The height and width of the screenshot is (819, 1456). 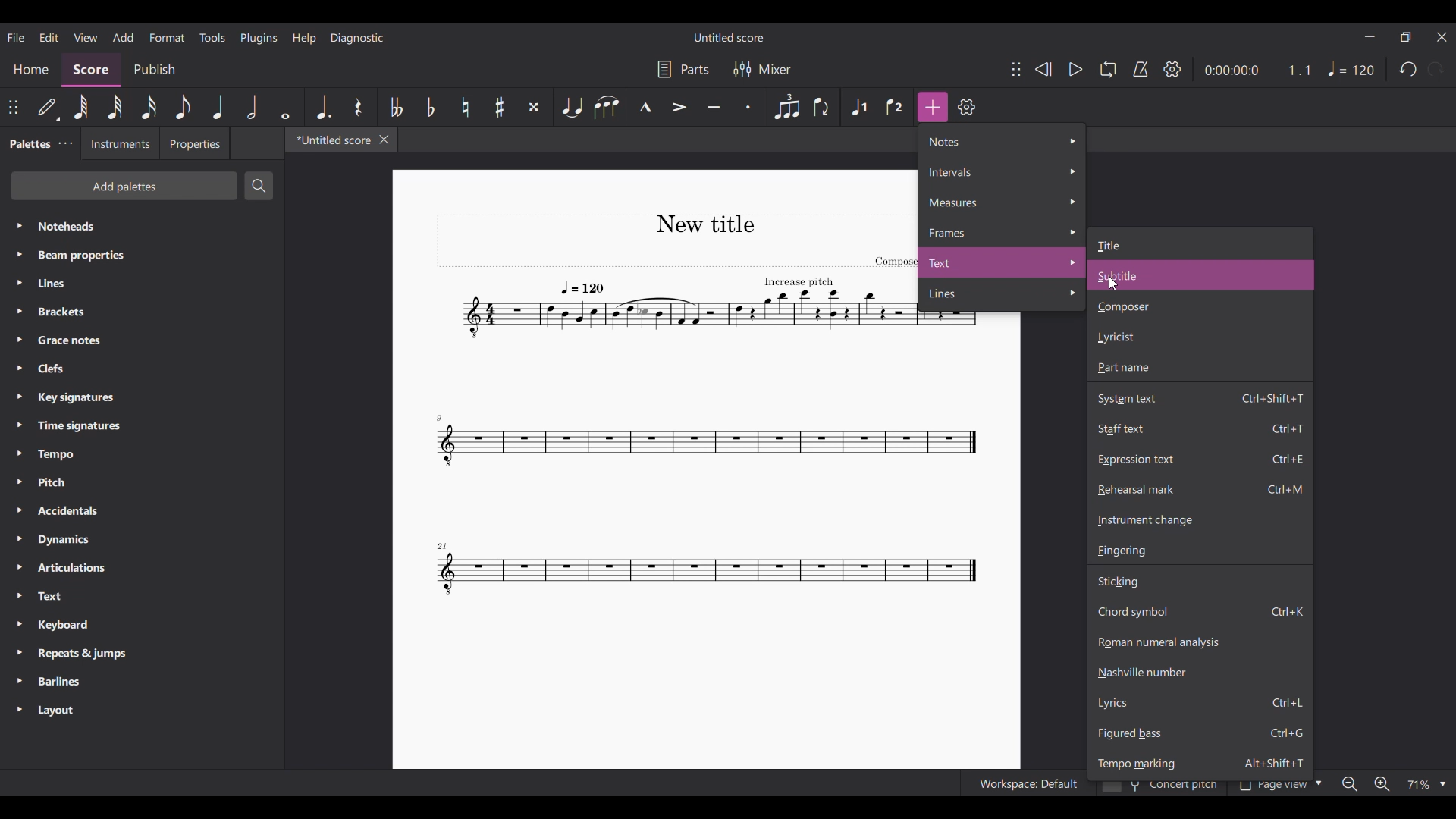 What do you see at coordinates (359, 107) in the screenshot?
I see `Rest` at bounding box center [359, 107].